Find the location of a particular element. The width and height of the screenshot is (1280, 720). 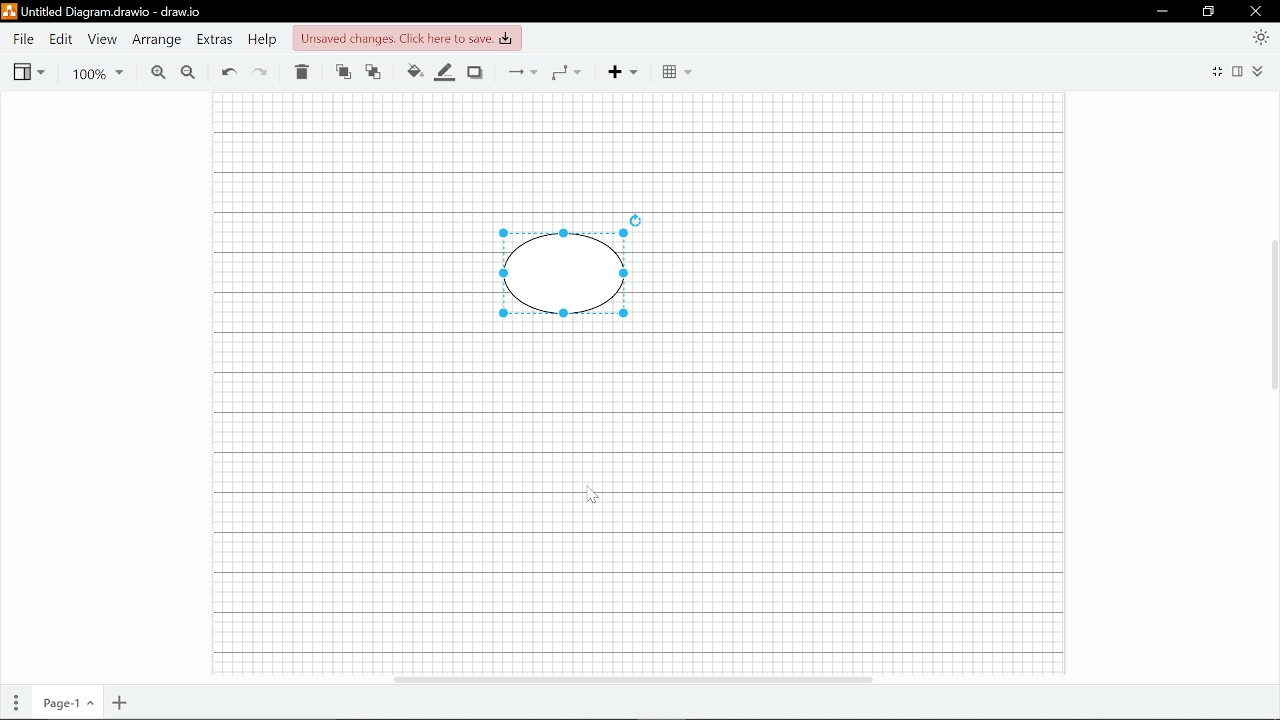

Help is located at coordinates (265, 41).